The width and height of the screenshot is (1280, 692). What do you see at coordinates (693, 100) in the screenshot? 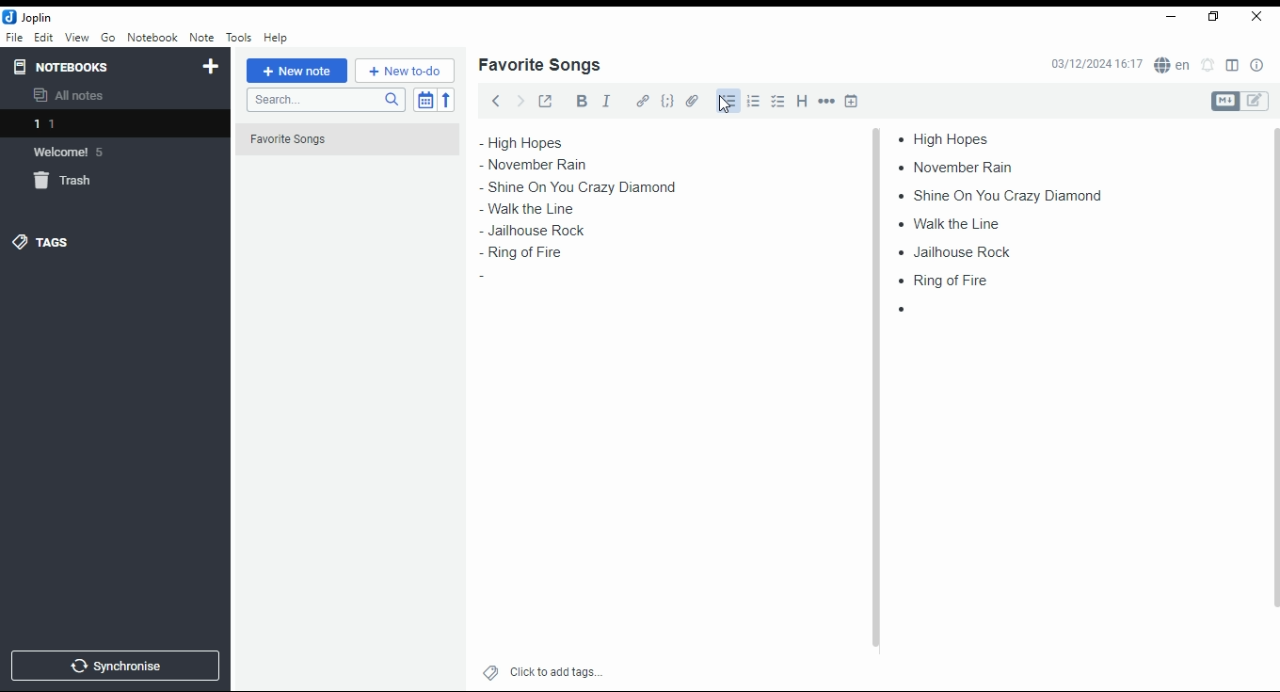
I see `attach file` at bounding box center [693, 100].